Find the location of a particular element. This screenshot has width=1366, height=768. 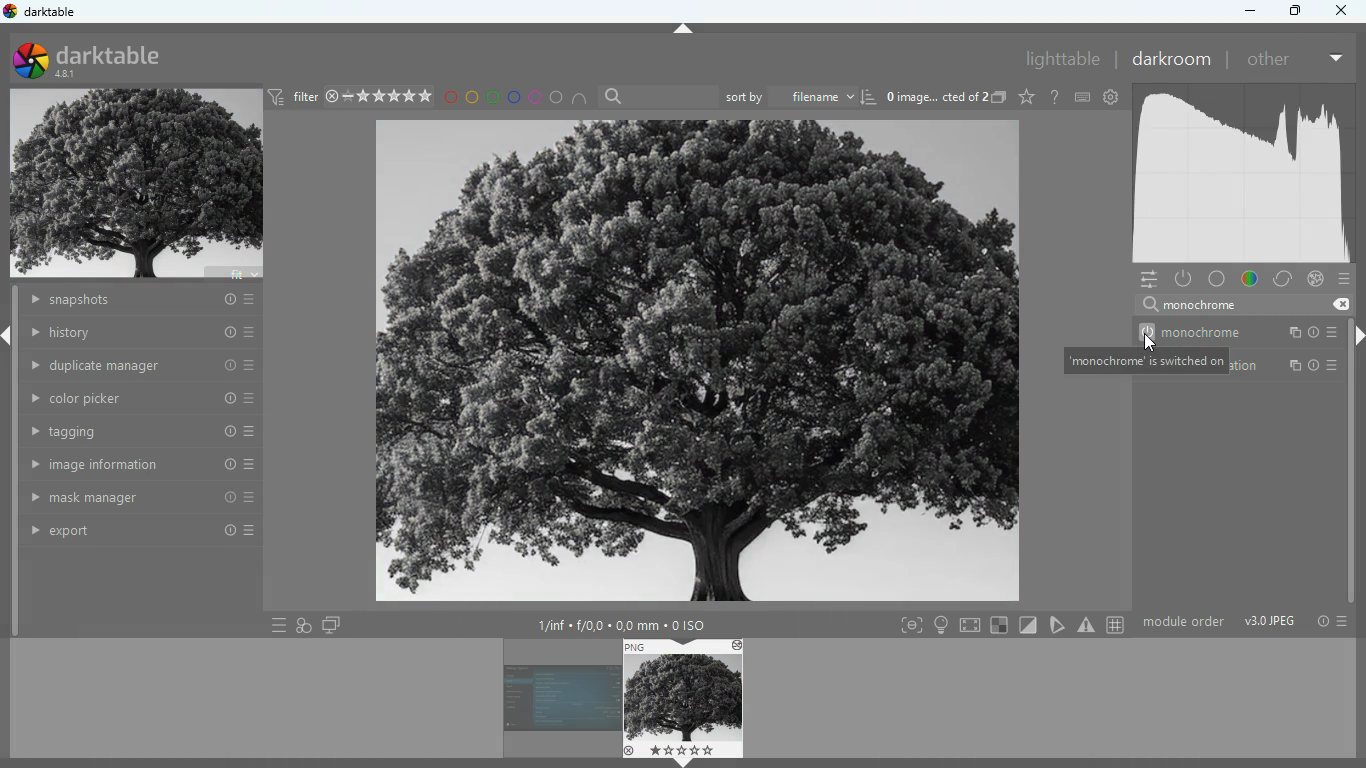

help is located at coordinates (1055, 97).